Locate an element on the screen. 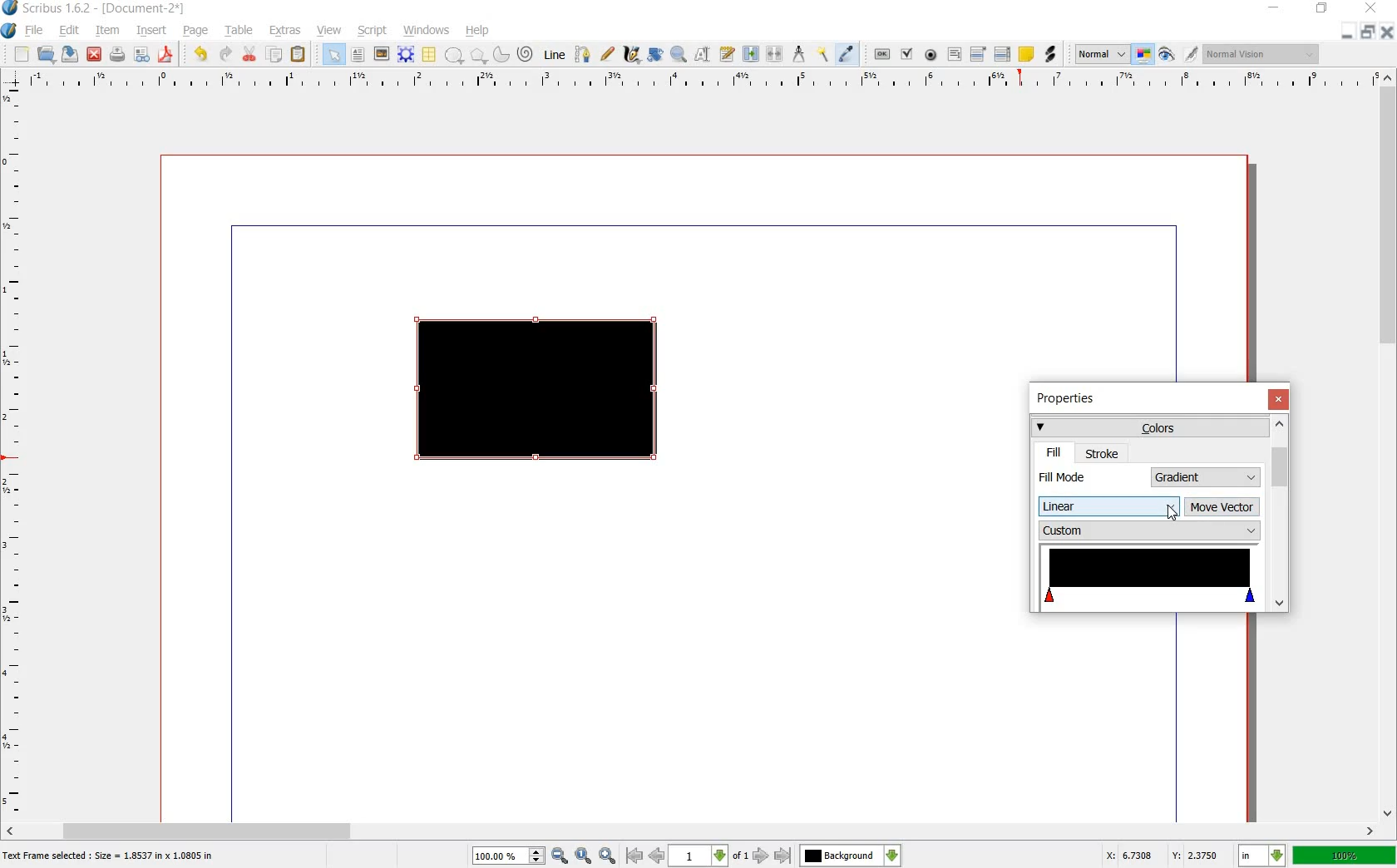  rotate item is located at coordinates (656, 55).